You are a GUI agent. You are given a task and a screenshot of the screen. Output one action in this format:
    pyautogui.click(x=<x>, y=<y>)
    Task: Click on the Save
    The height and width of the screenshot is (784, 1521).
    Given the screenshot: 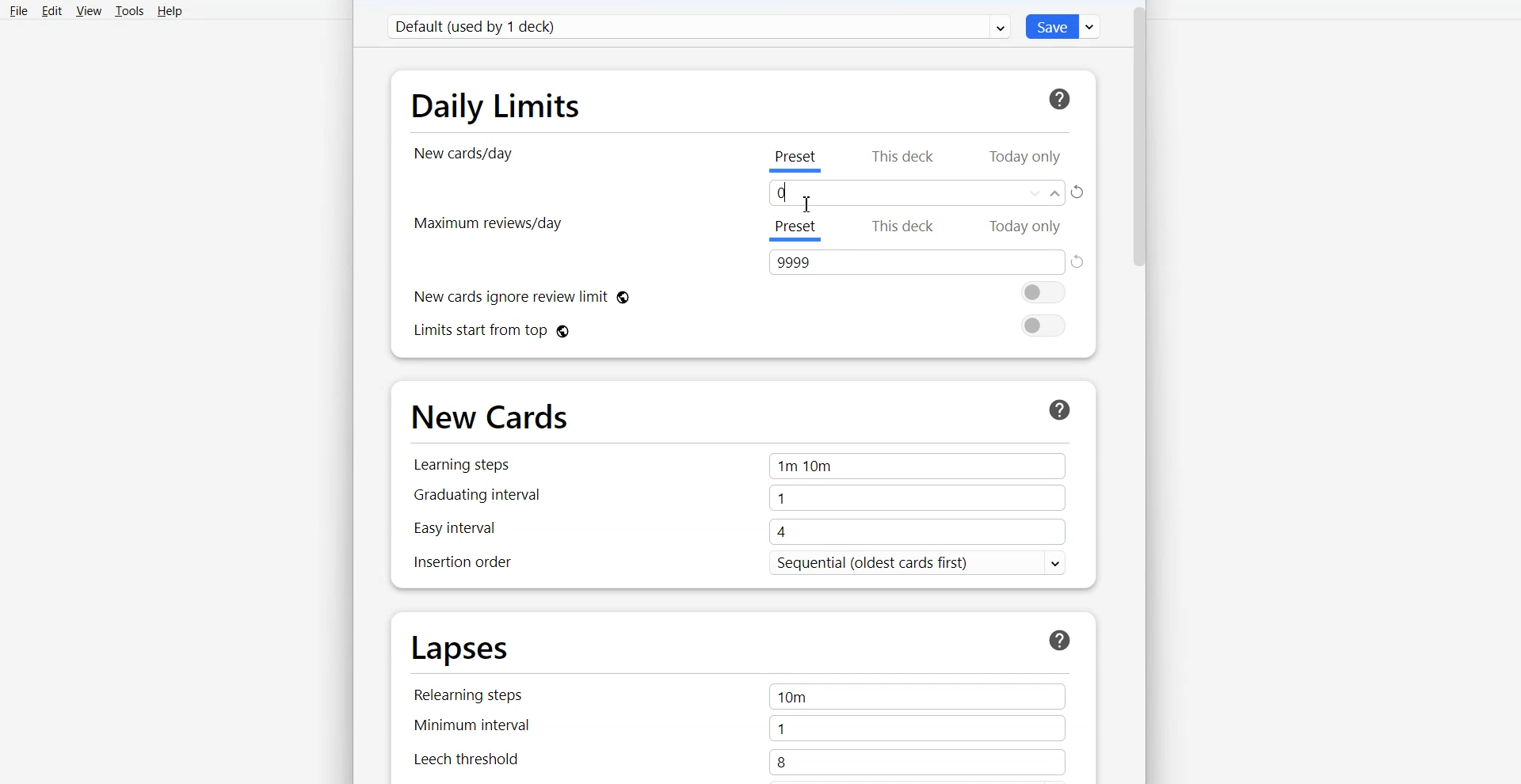 What is the action you would take?
    pyautogui.click(x=1065, y=27)
    